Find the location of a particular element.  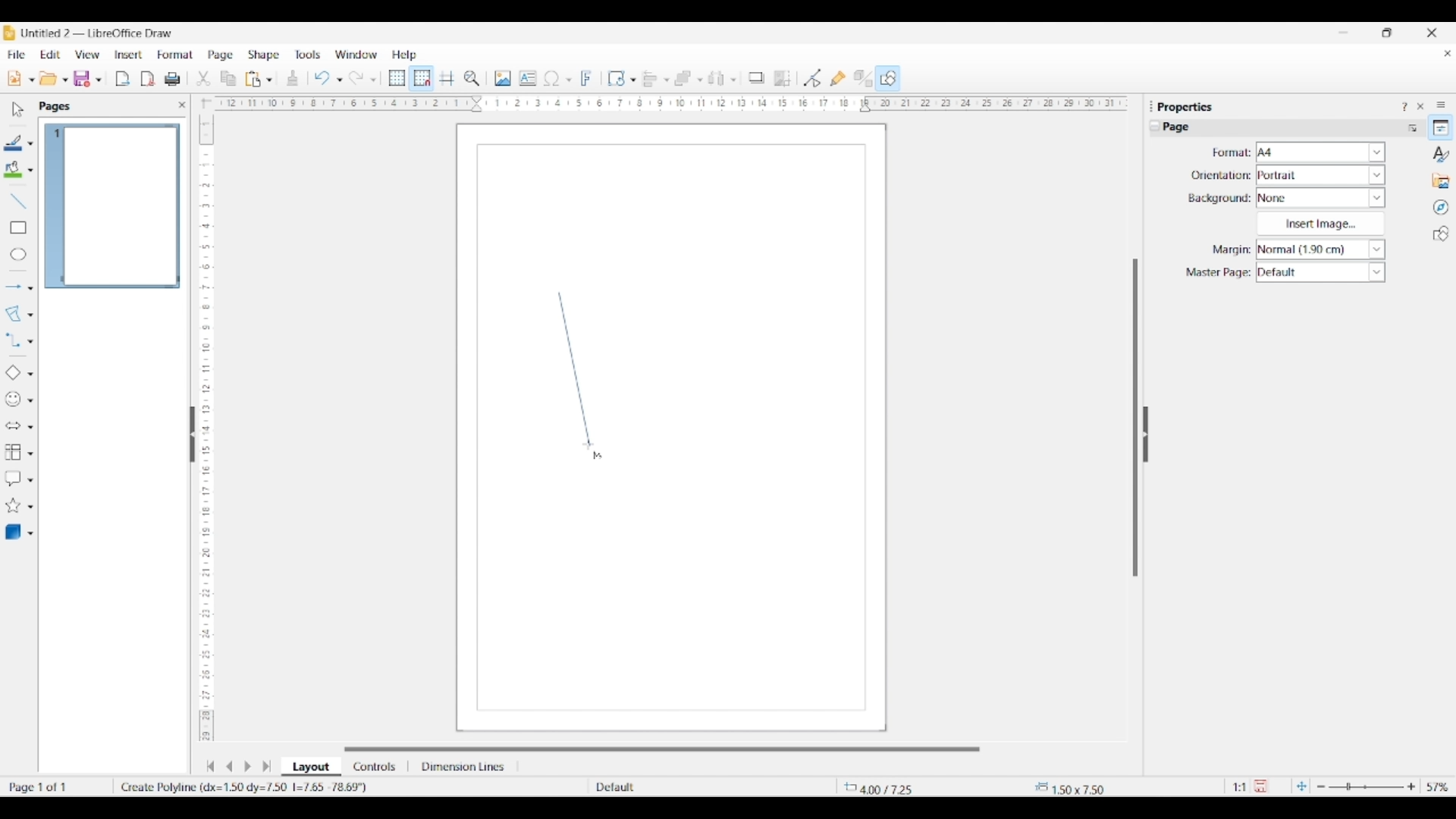

3D shape options is located at coordinates (30, 534).